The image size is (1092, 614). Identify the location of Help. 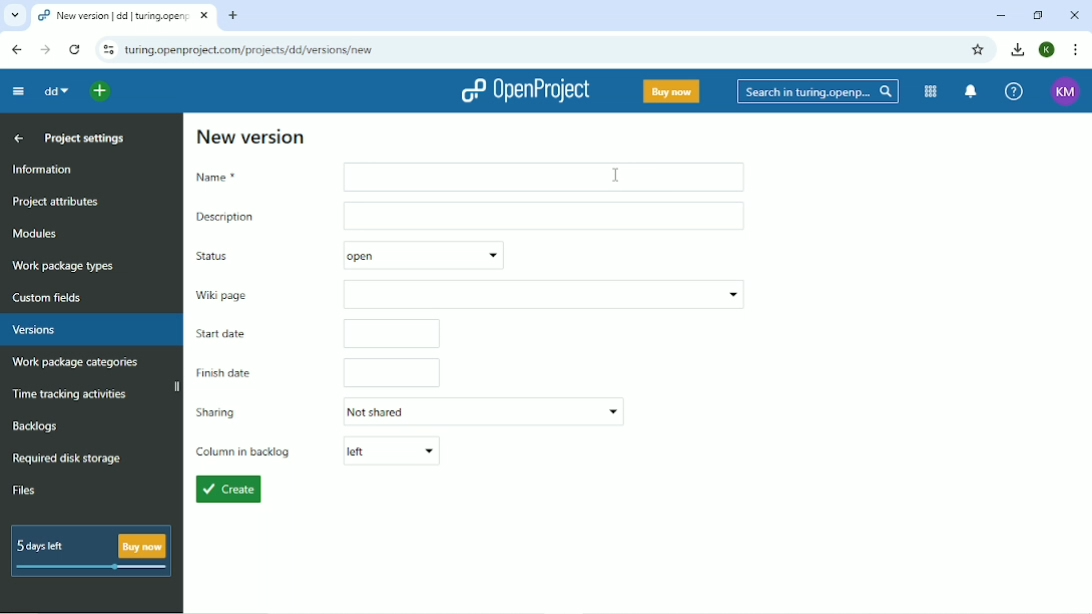
(1015, 91).